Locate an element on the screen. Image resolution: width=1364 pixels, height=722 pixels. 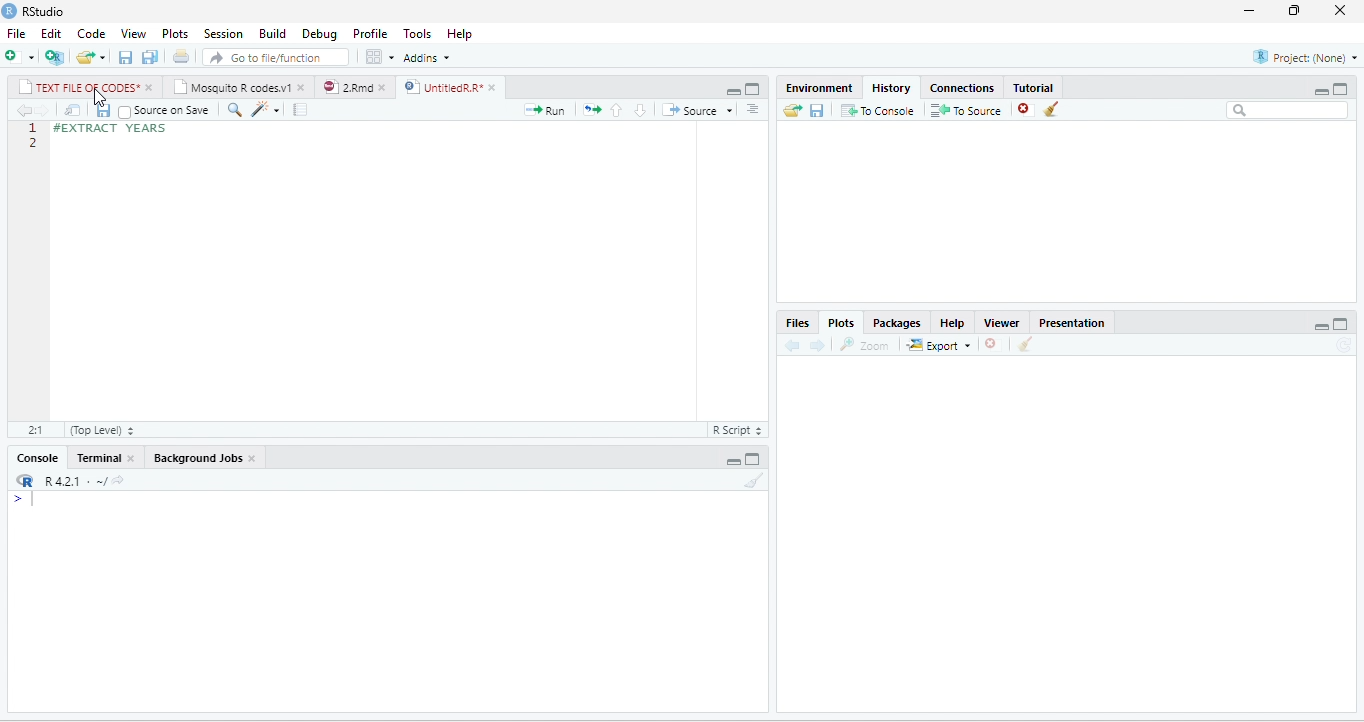
rerun is located at coordinates (591, 109).